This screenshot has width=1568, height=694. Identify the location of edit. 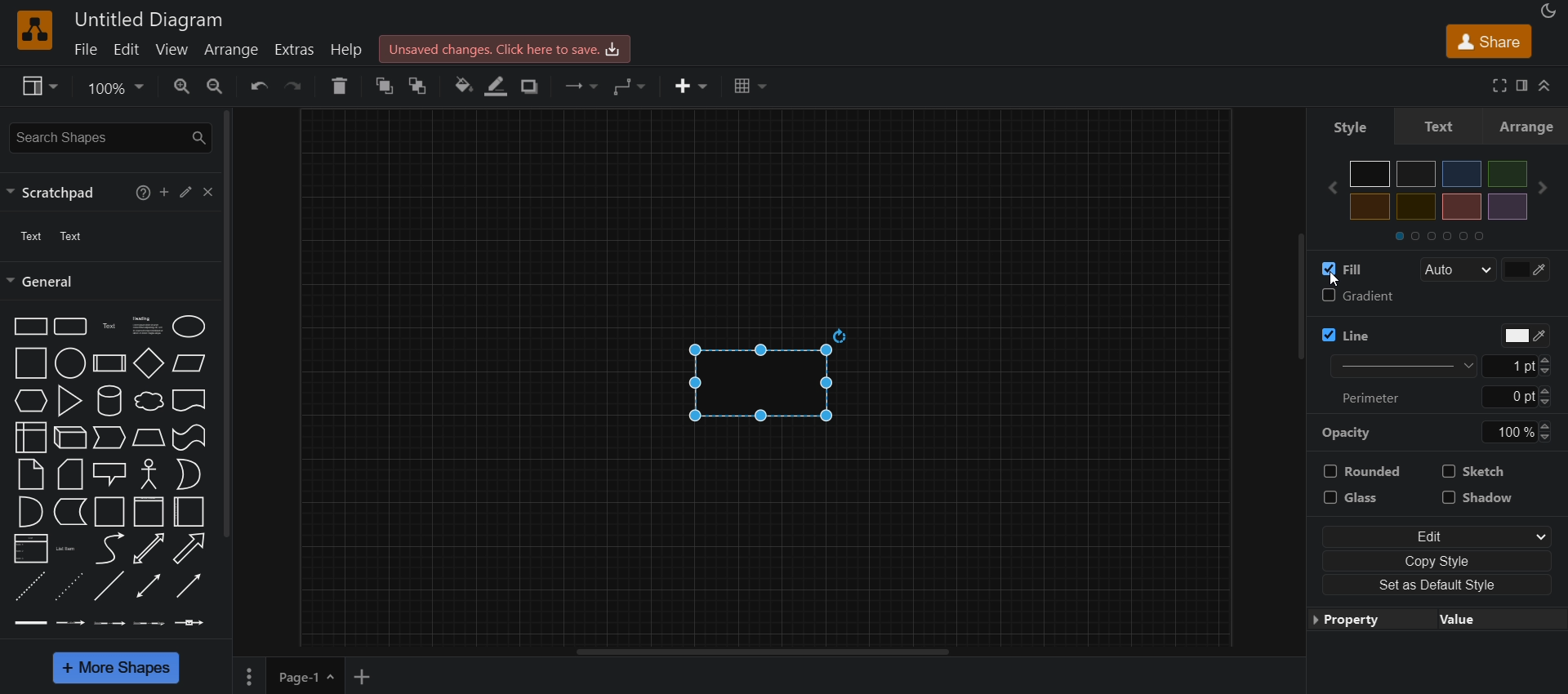
(1442, 536).